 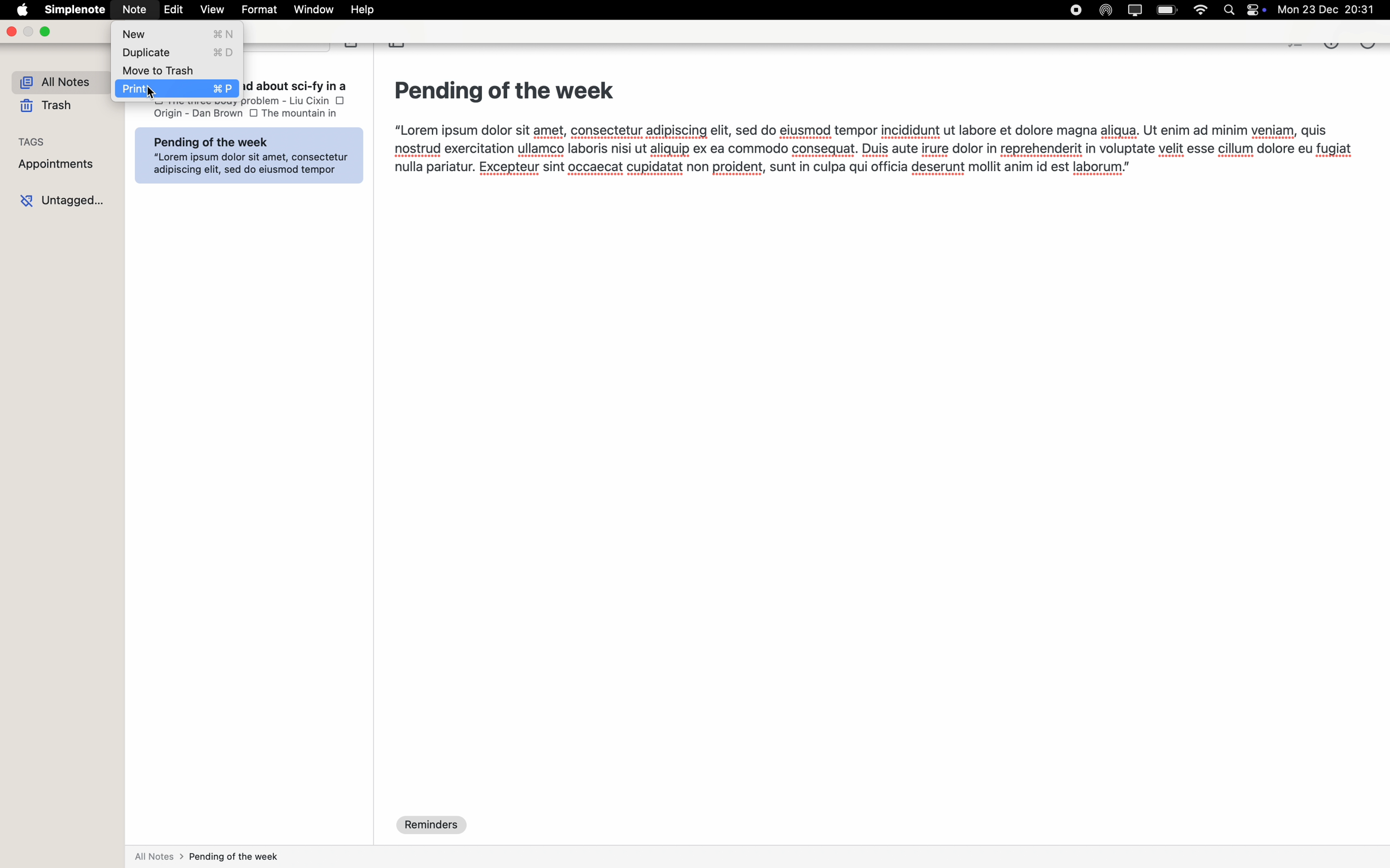 I want to click on format, so click(x=258, y=9).